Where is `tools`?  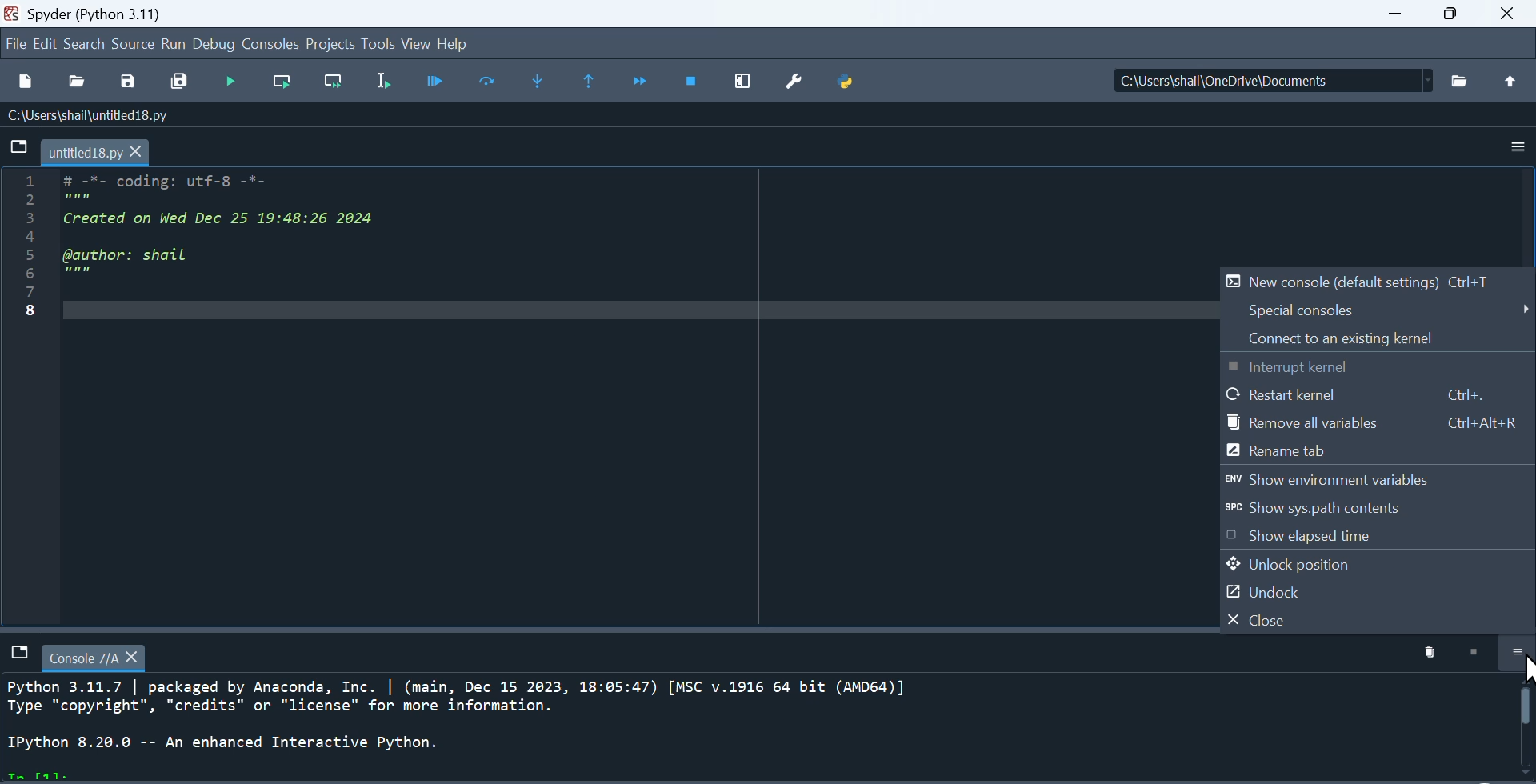 tools is located at coordinates (376, 44).